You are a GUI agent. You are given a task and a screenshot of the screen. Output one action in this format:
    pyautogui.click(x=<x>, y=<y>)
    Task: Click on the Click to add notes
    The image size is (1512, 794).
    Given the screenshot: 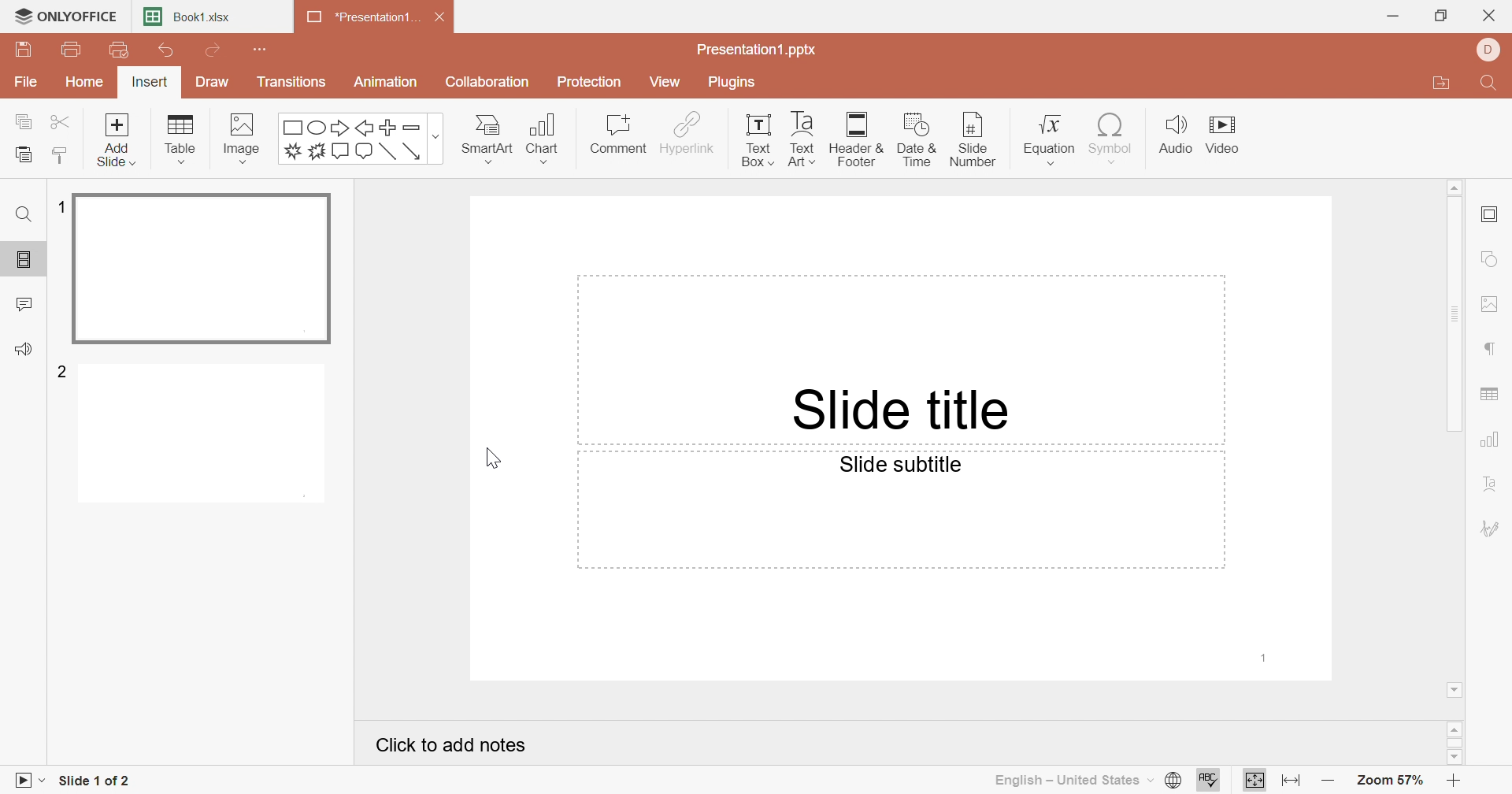 What is the action you would take?
    pyautogui.click(x=455, y=748)
    